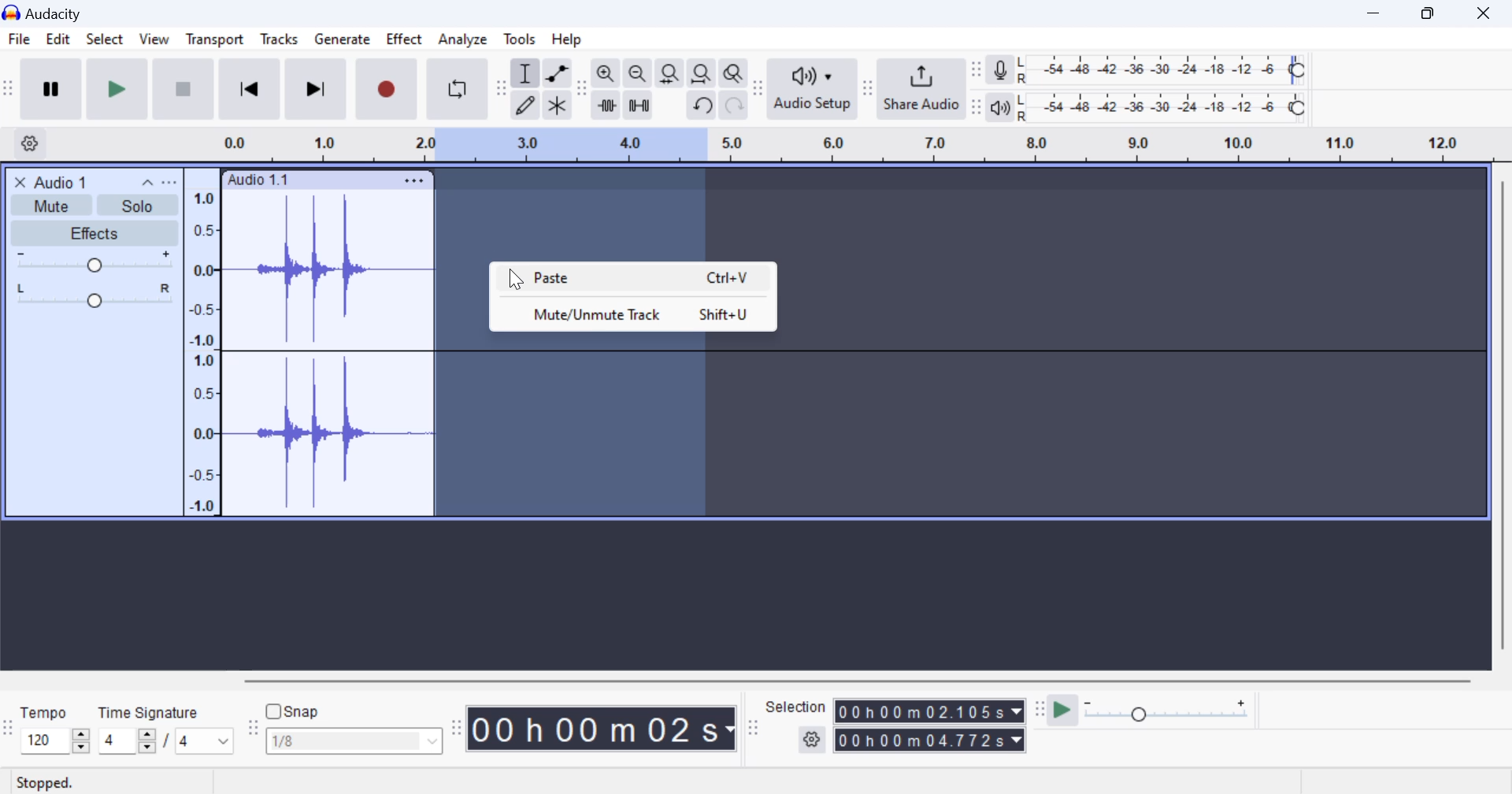  What do you see at coordinates (514, 280) in the screenshot?
I see `Cursor Position` at bounding box center [514, 280].